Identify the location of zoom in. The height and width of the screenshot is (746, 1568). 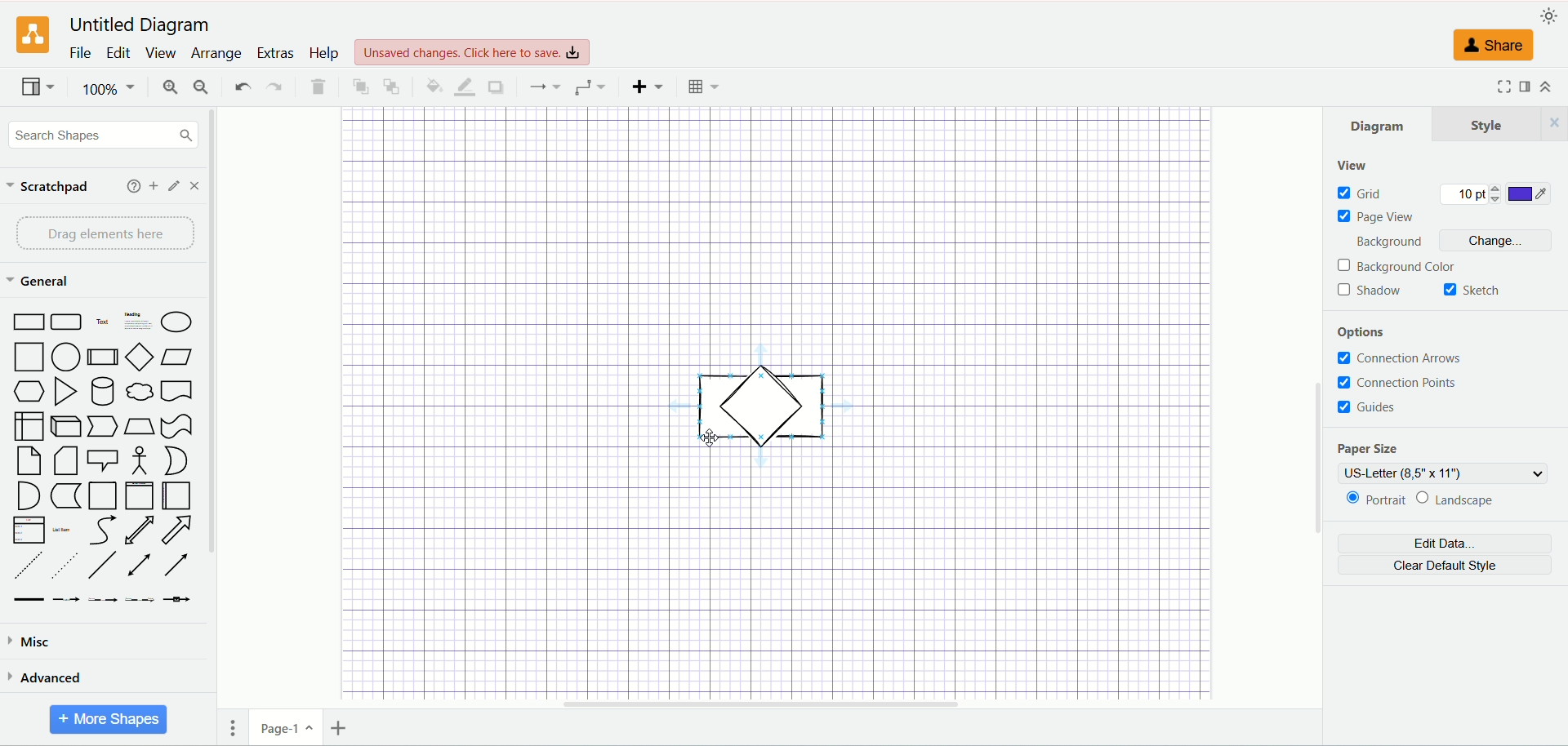
(167, 86).